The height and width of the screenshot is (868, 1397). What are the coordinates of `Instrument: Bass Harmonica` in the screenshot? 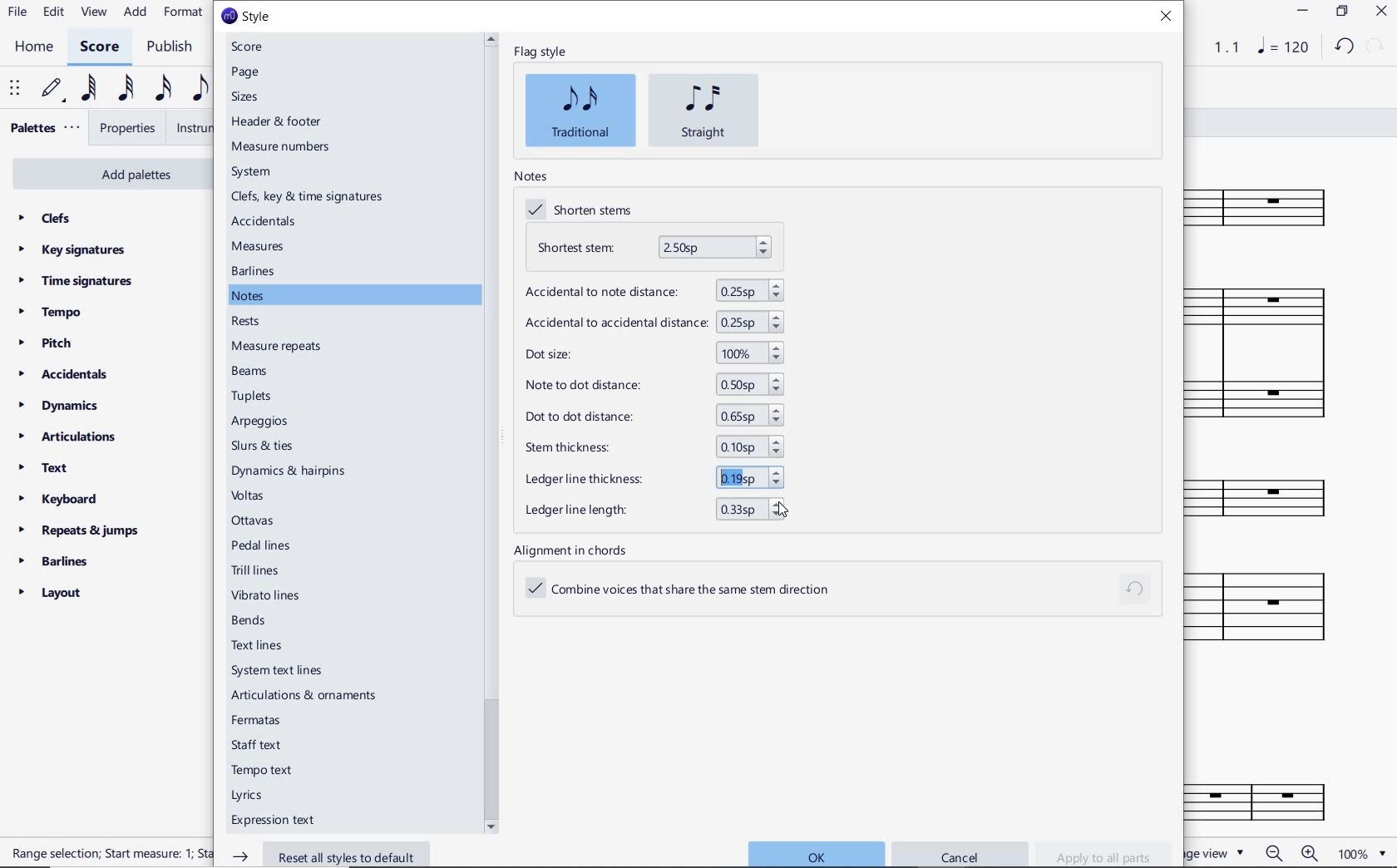 It's located at (1272, 492).